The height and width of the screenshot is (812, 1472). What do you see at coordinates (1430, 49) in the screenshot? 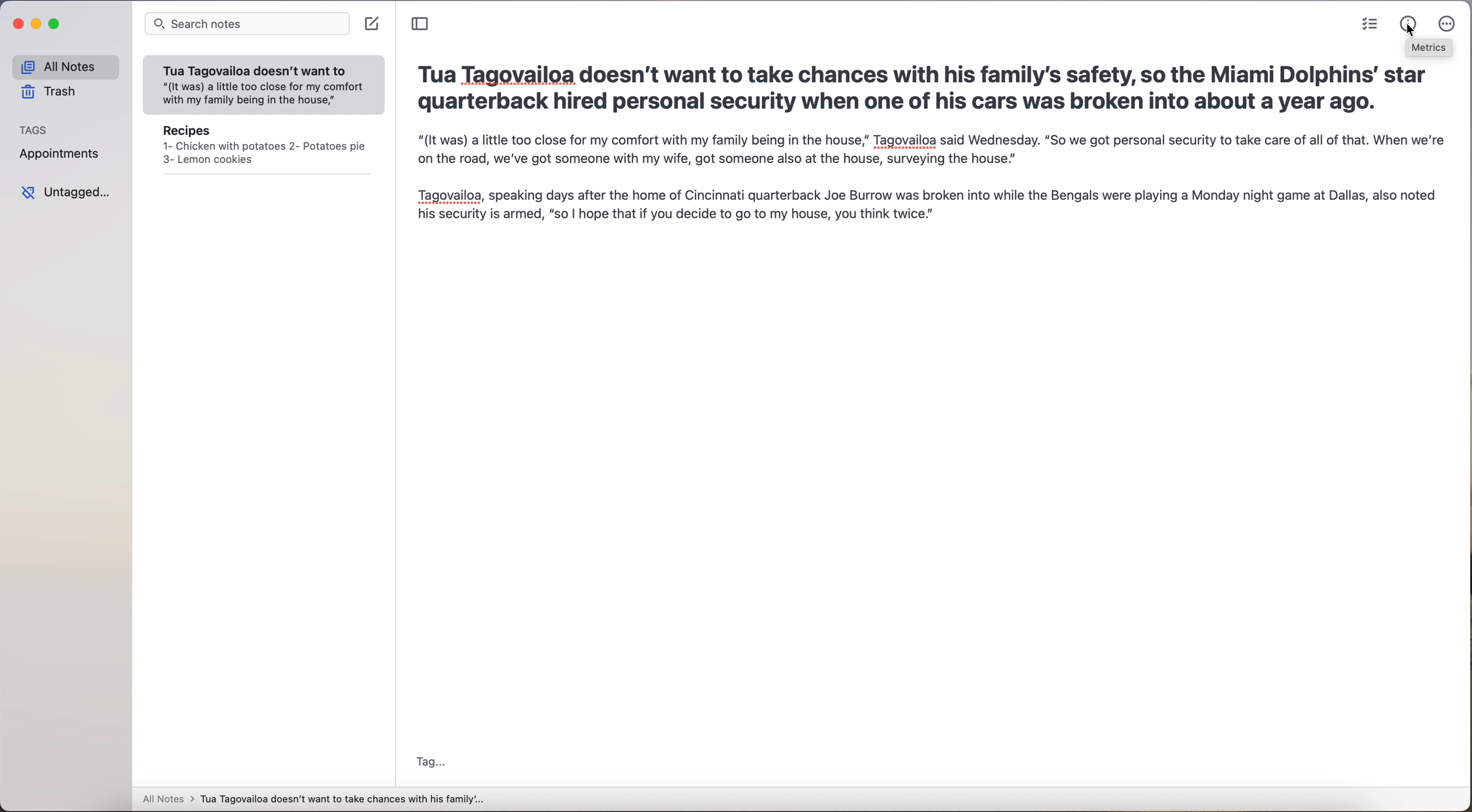
I see `metrics` at bounding box center [1430, 49].